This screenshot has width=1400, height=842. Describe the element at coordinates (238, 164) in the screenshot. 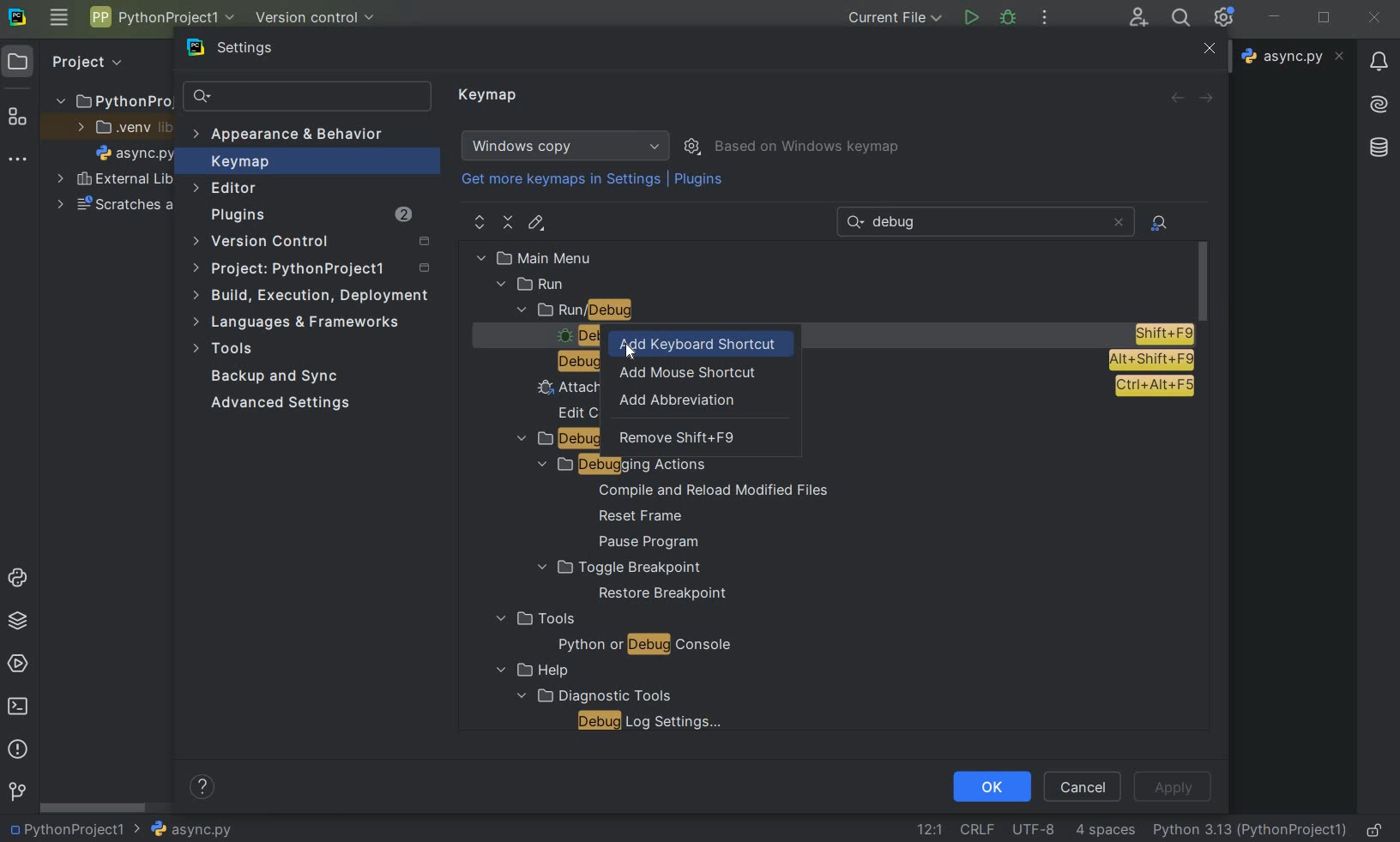

I see `keymap` at that location.